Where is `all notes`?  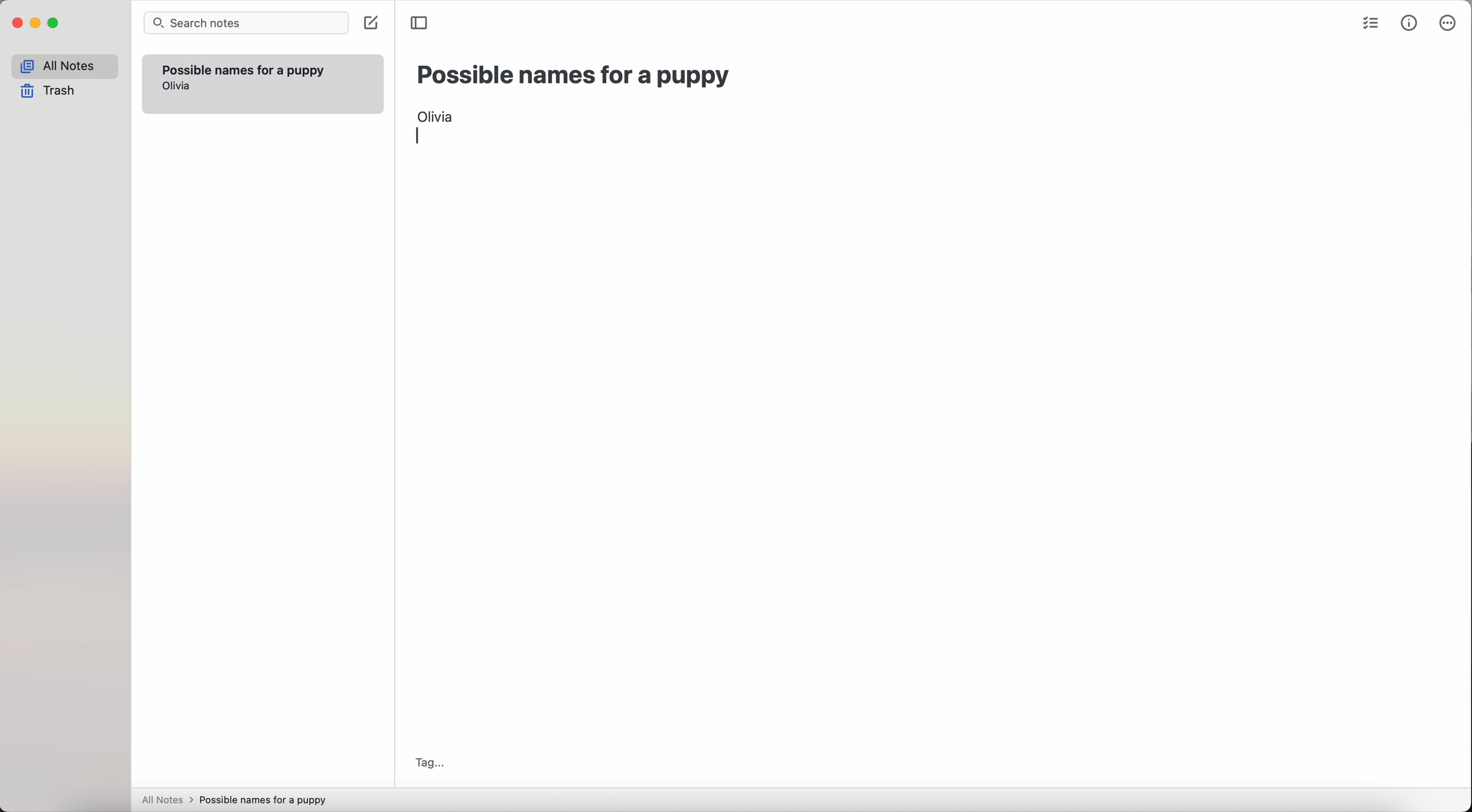 all notes is located at coordinates (65, 66).